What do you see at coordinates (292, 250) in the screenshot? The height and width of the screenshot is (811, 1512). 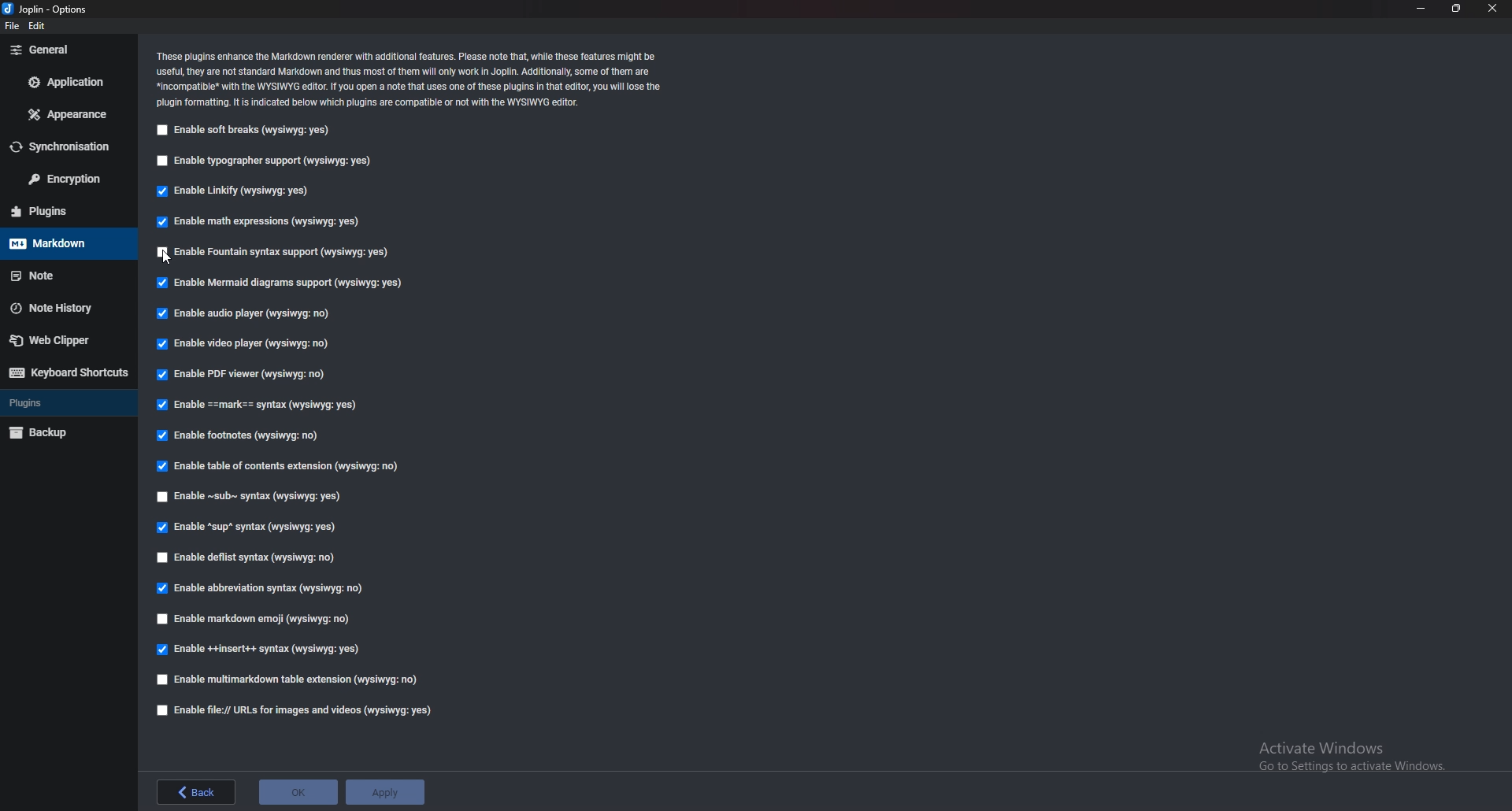 I see `enable fountain syntax` at bounding box center [292, 250].